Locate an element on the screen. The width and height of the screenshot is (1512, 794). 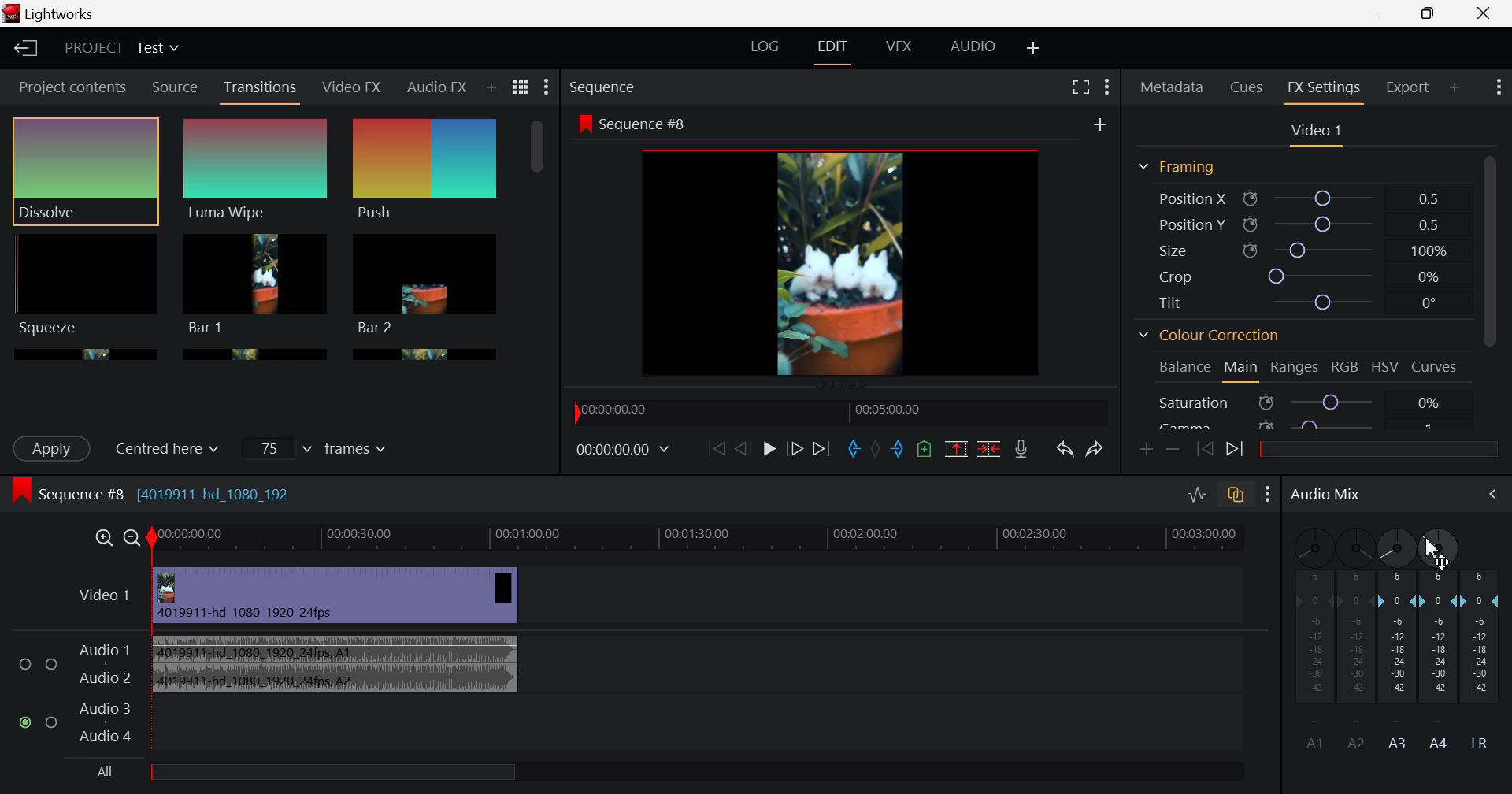
Bar 1 is located at coordinates (256, 284).